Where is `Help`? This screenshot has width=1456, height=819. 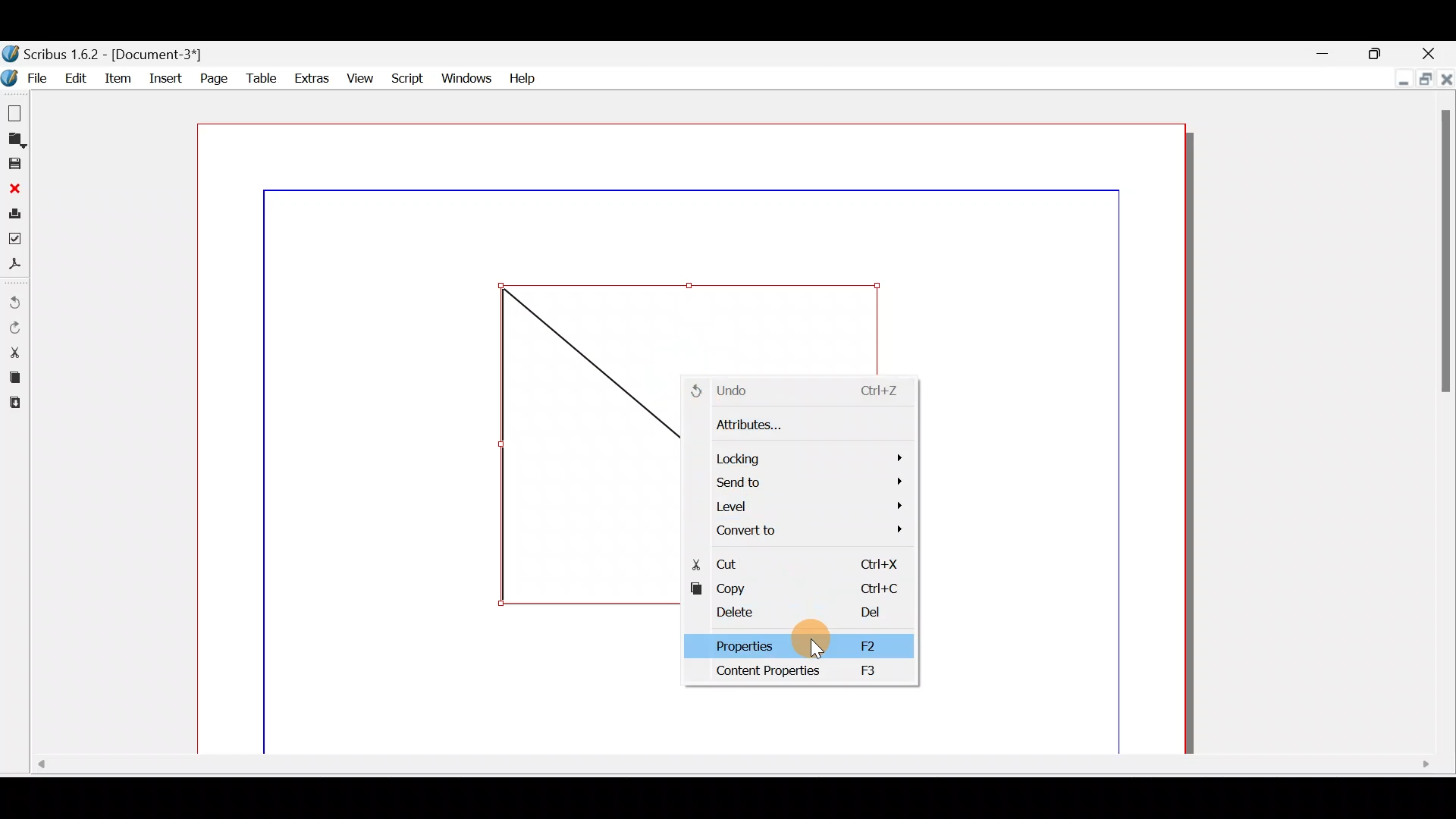 Help is located at coordinates (522, 77).